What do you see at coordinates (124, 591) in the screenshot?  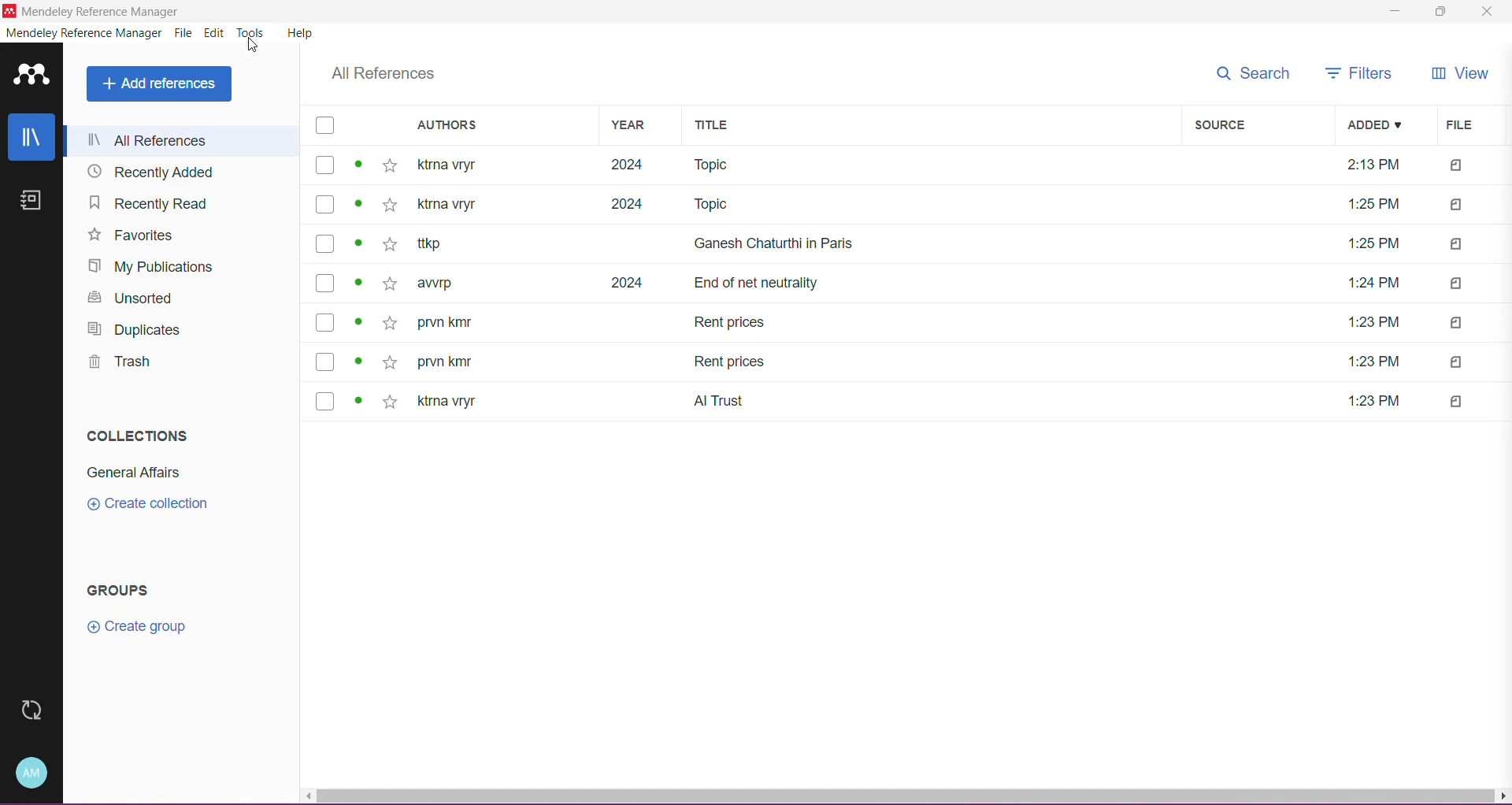 I see `Groups` at bounding box center [124, 591].